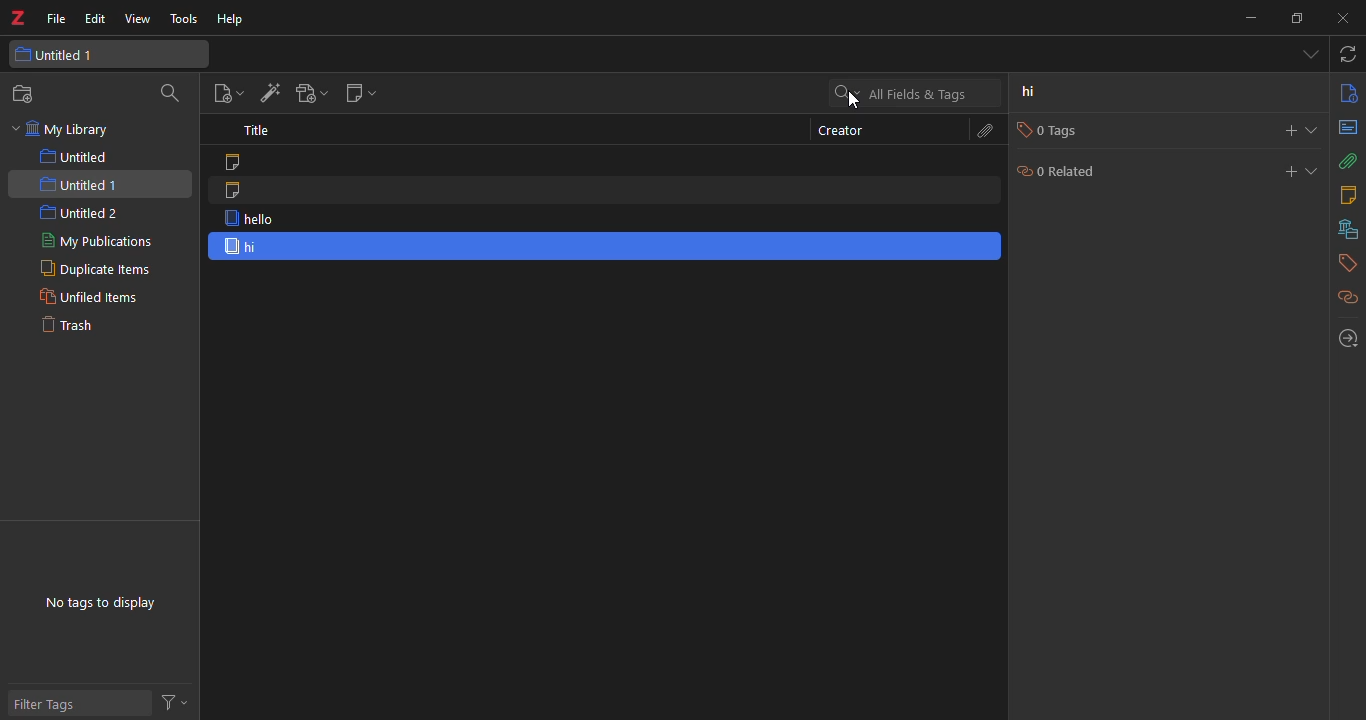 The width and height of the screenshot is (1366, 720). I want to click on close, so click(1346, 16).